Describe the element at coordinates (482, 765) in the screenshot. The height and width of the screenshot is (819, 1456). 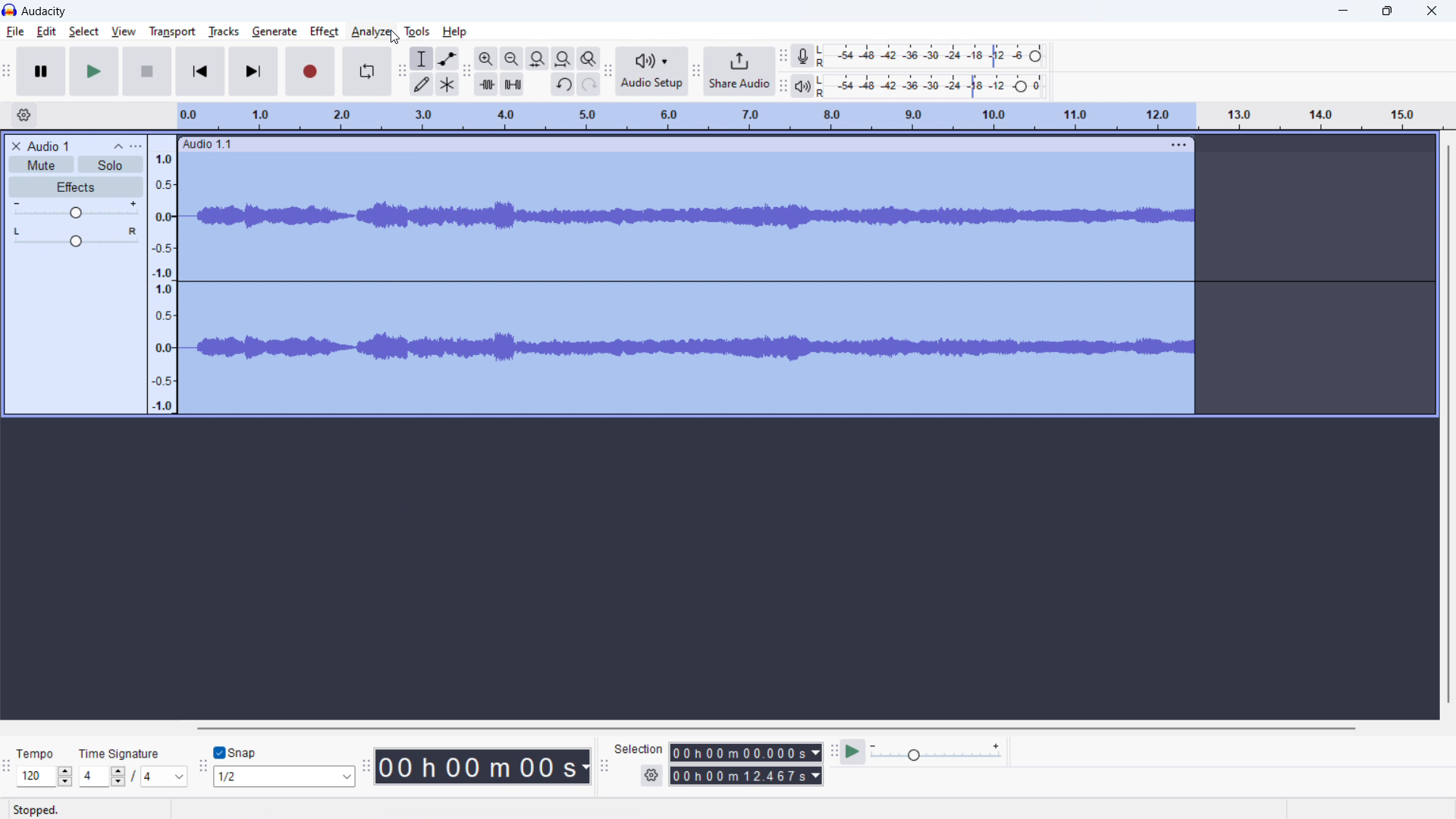
I see `time stamp` at that location.